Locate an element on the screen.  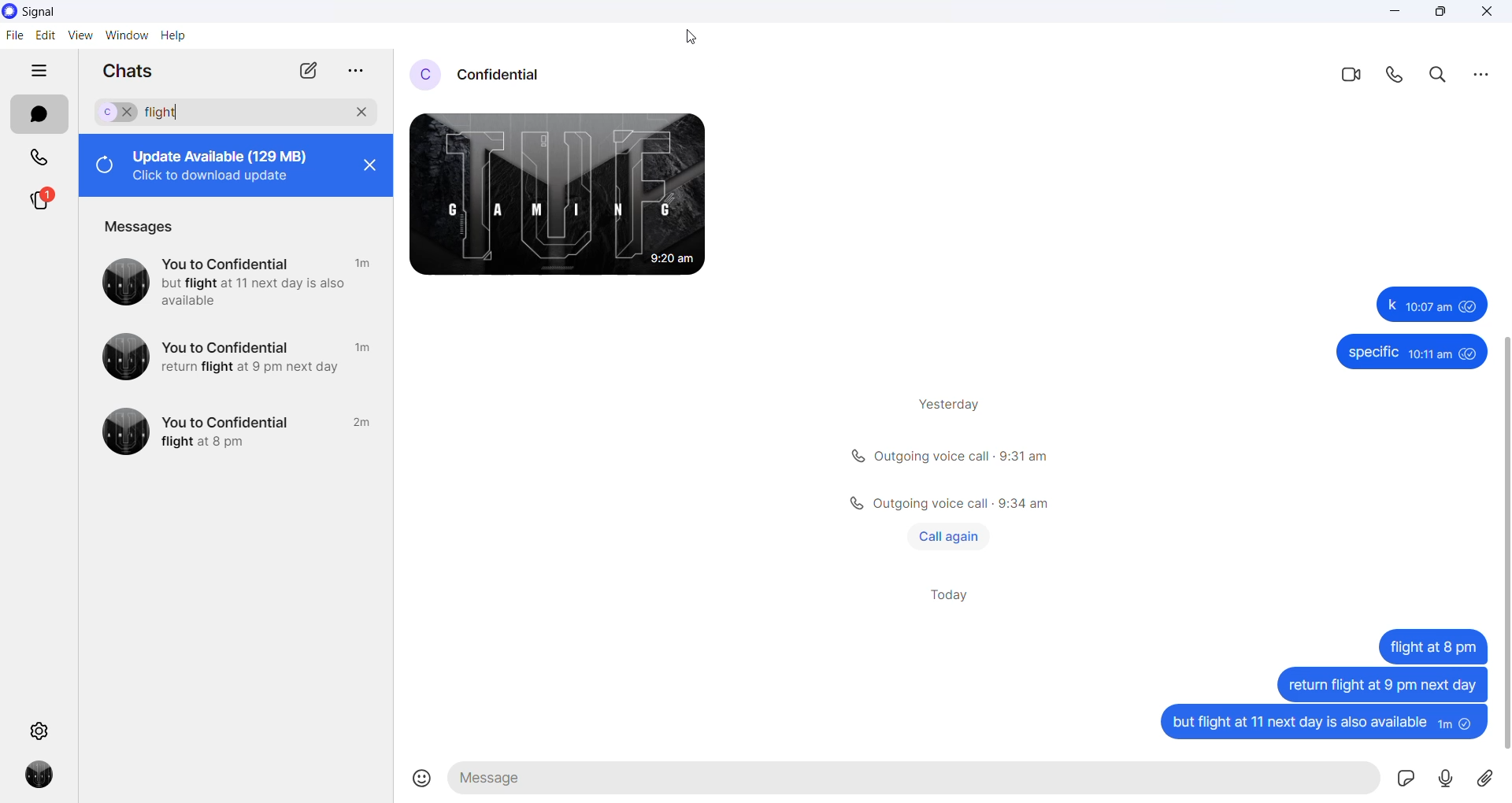
cursor is located at coordinates (689, 37).